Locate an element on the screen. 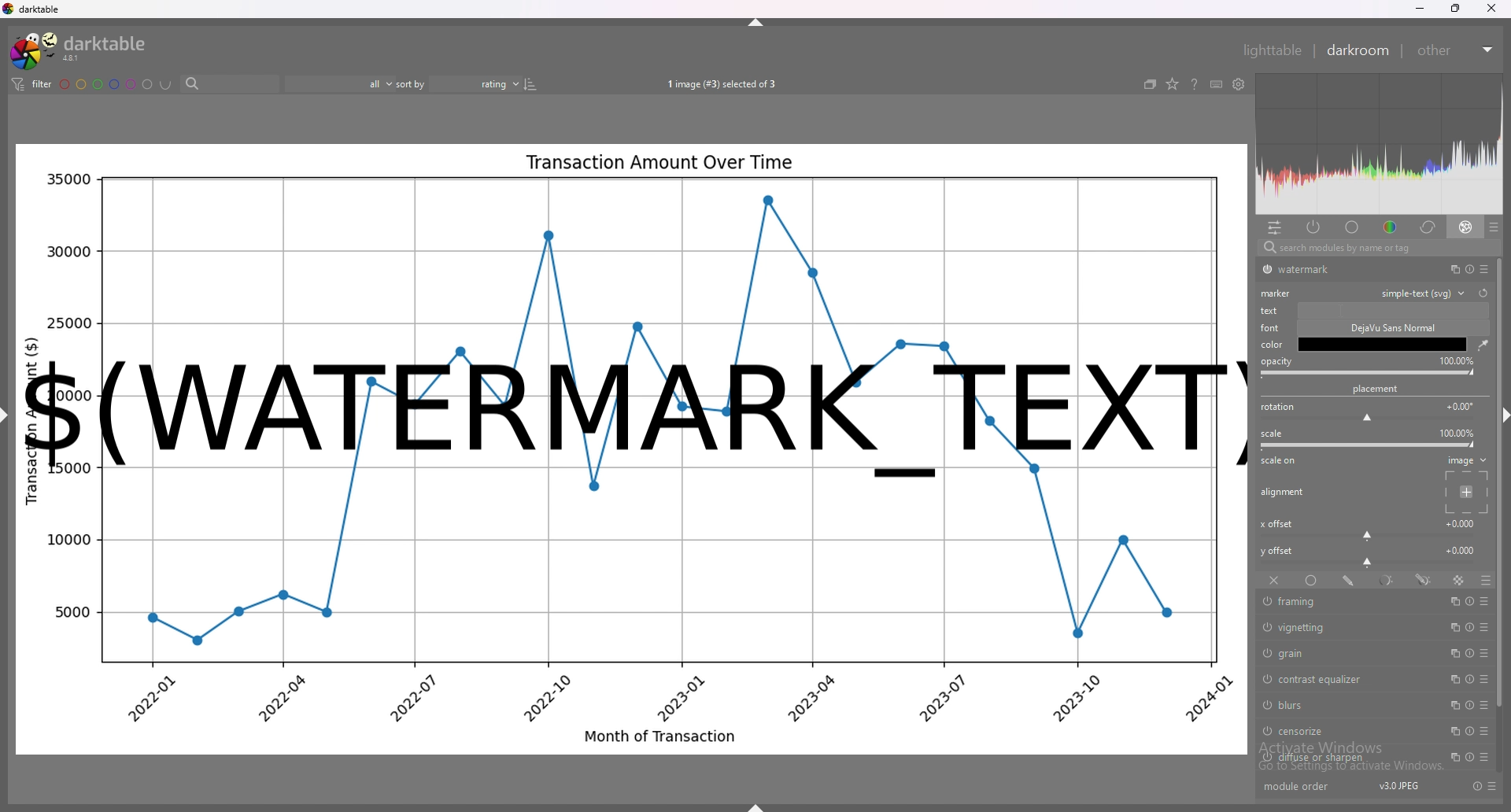 The height and width of the screenshot is (812, 1511). watermarked text is located at coordinates (637, 246).